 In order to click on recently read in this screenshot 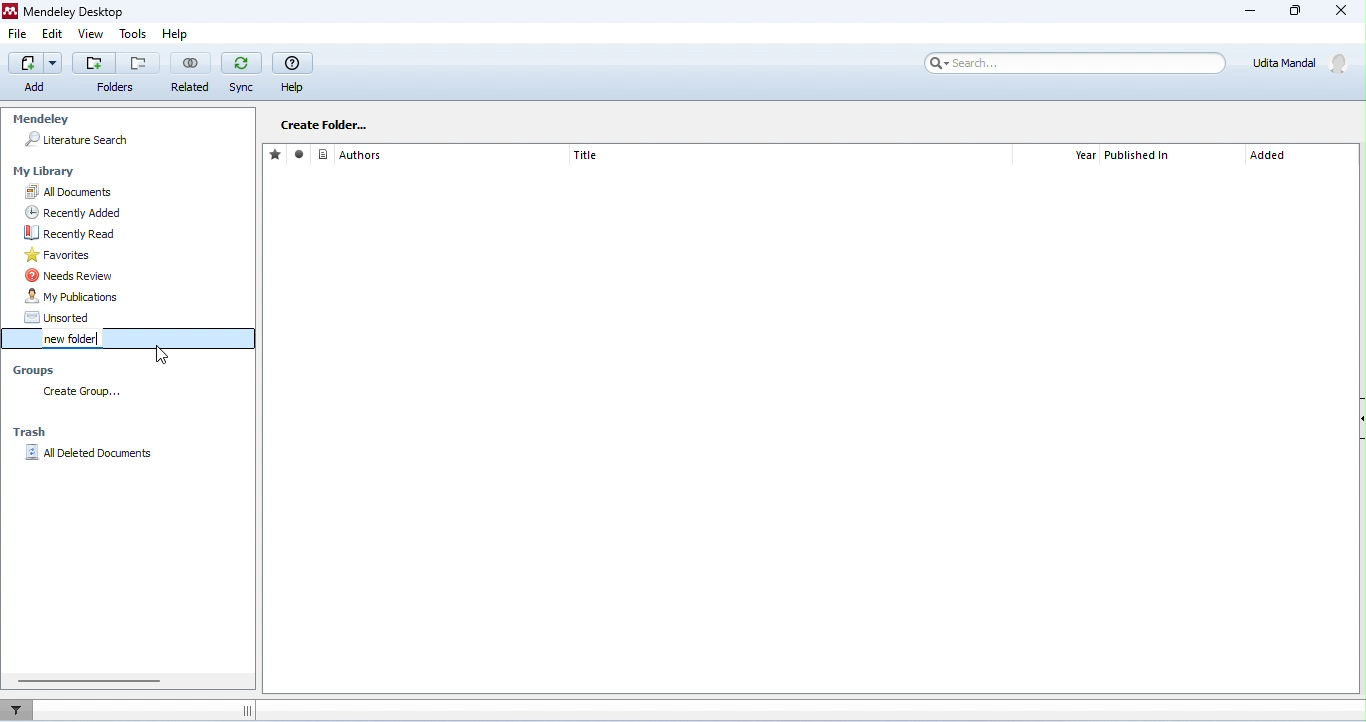, I will do `click(138, 233)`.